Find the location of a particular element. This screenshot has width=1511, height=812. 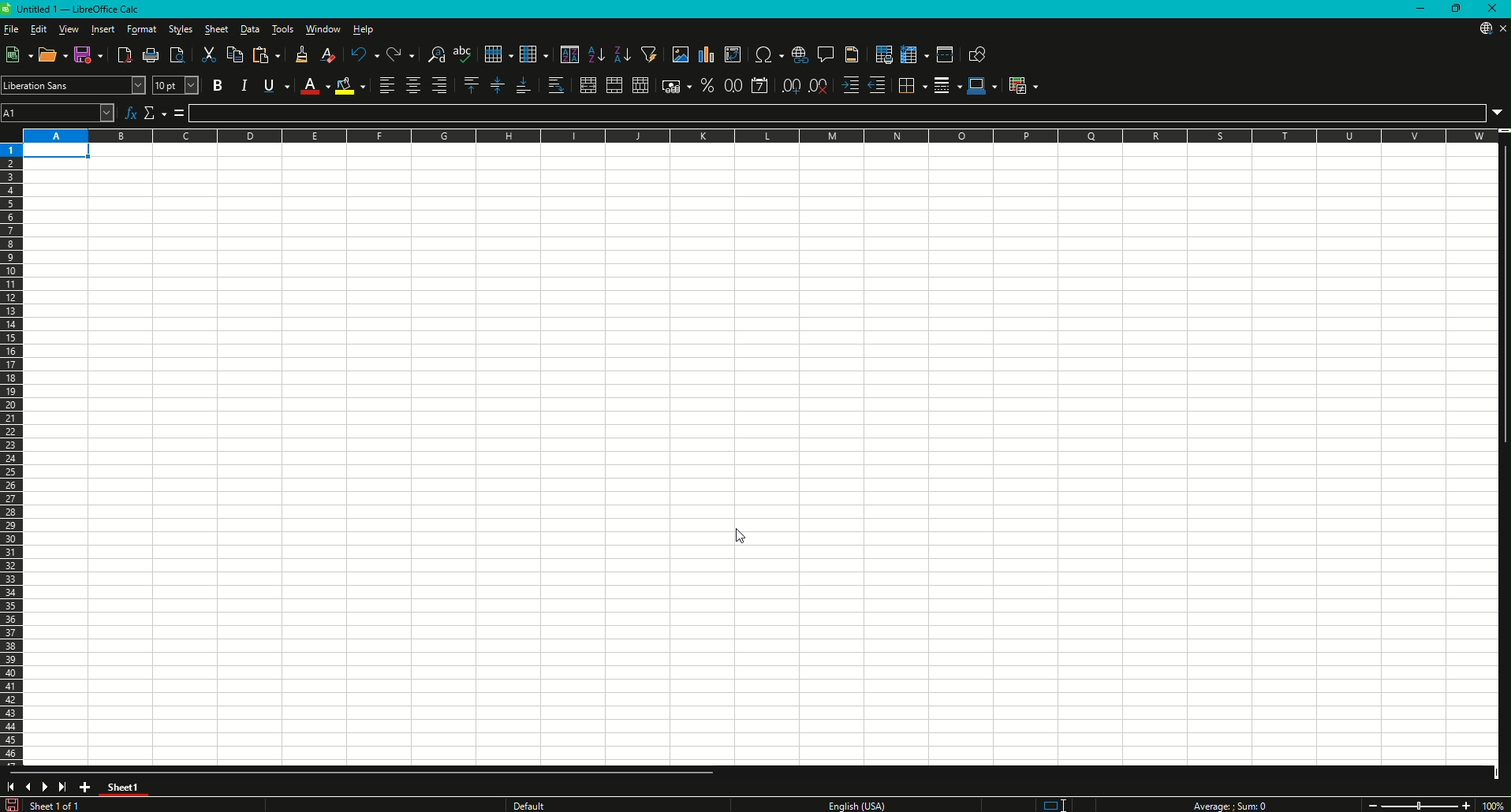

Borders is located at coordinates (912, 86).